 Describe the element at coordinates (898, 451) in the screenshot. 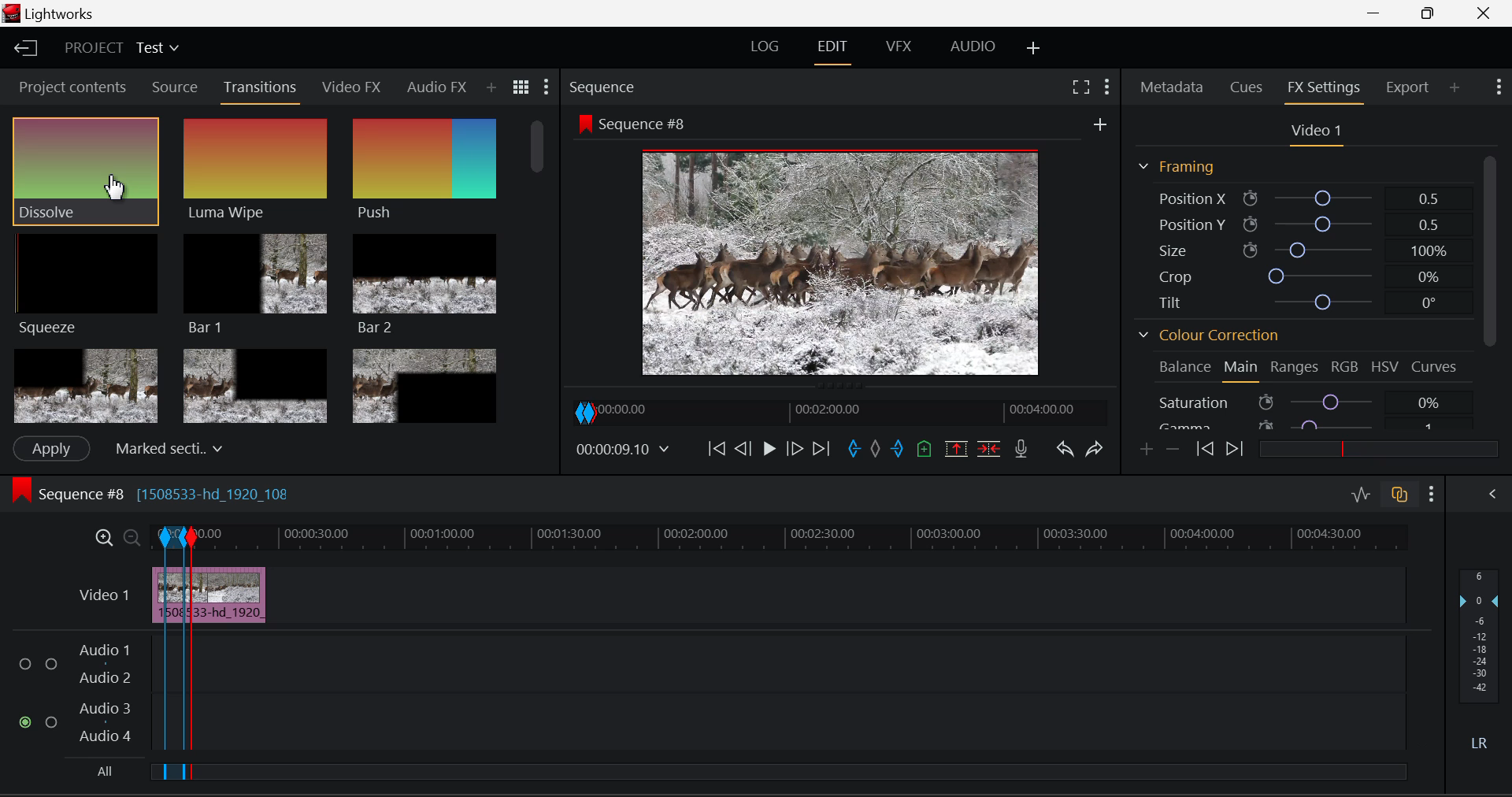

I see `Mark Out` at that location.